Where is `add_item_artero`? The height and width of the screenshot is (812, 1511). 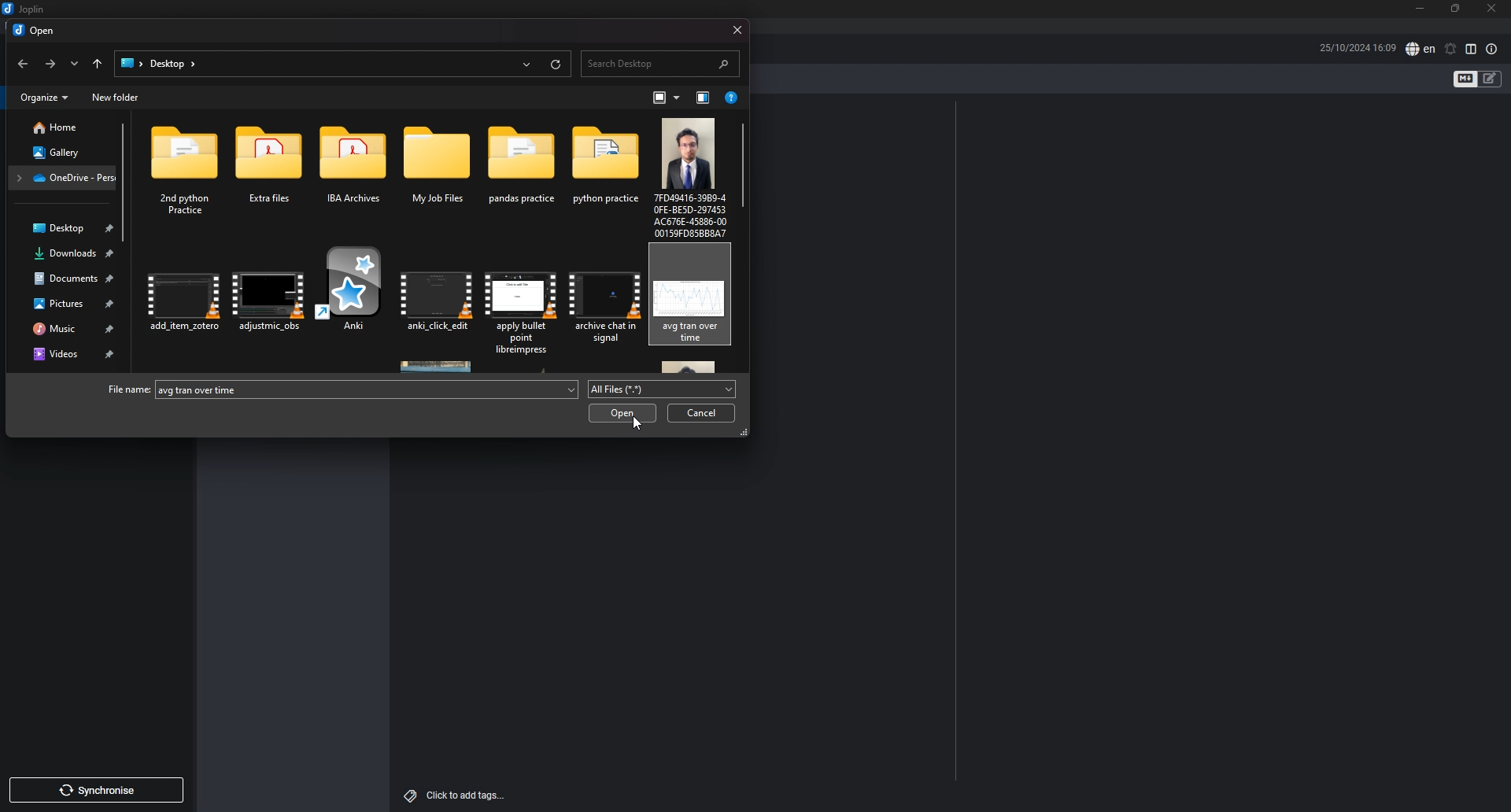
add_item_artero is located at coordinates (185, 307).